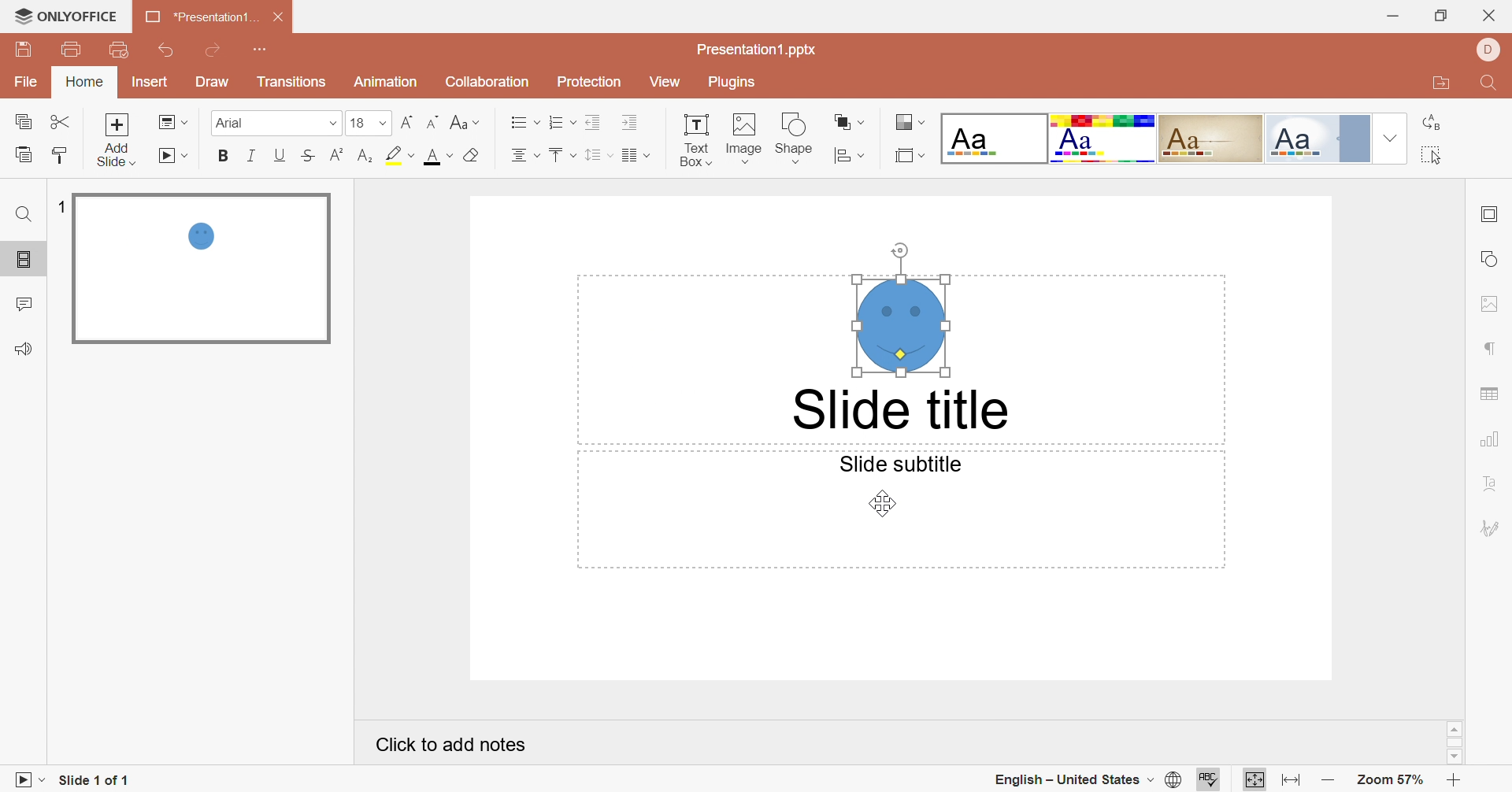  I want to click on Arrange shape, so click(850, 125).